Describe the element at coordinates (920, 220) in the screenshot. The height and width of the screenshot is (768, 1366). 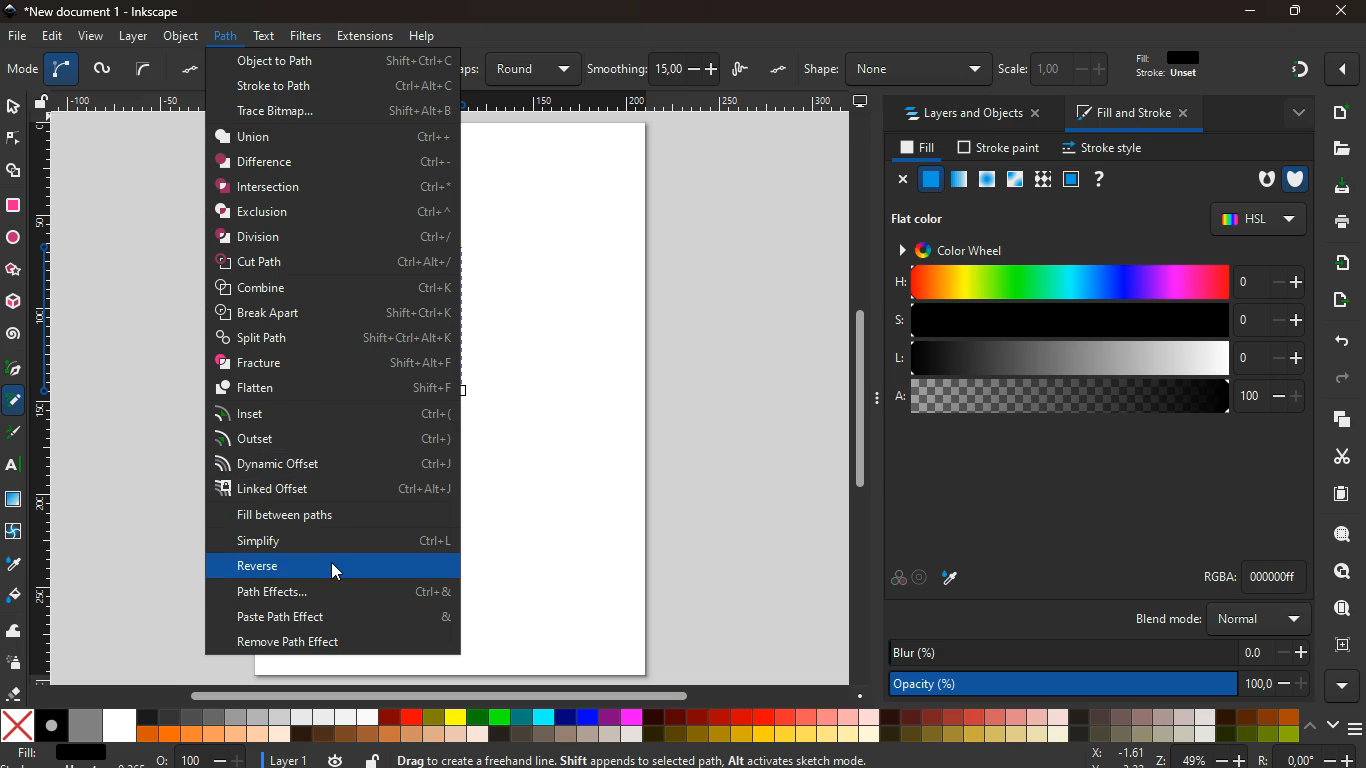
I see `flat color` at that location.